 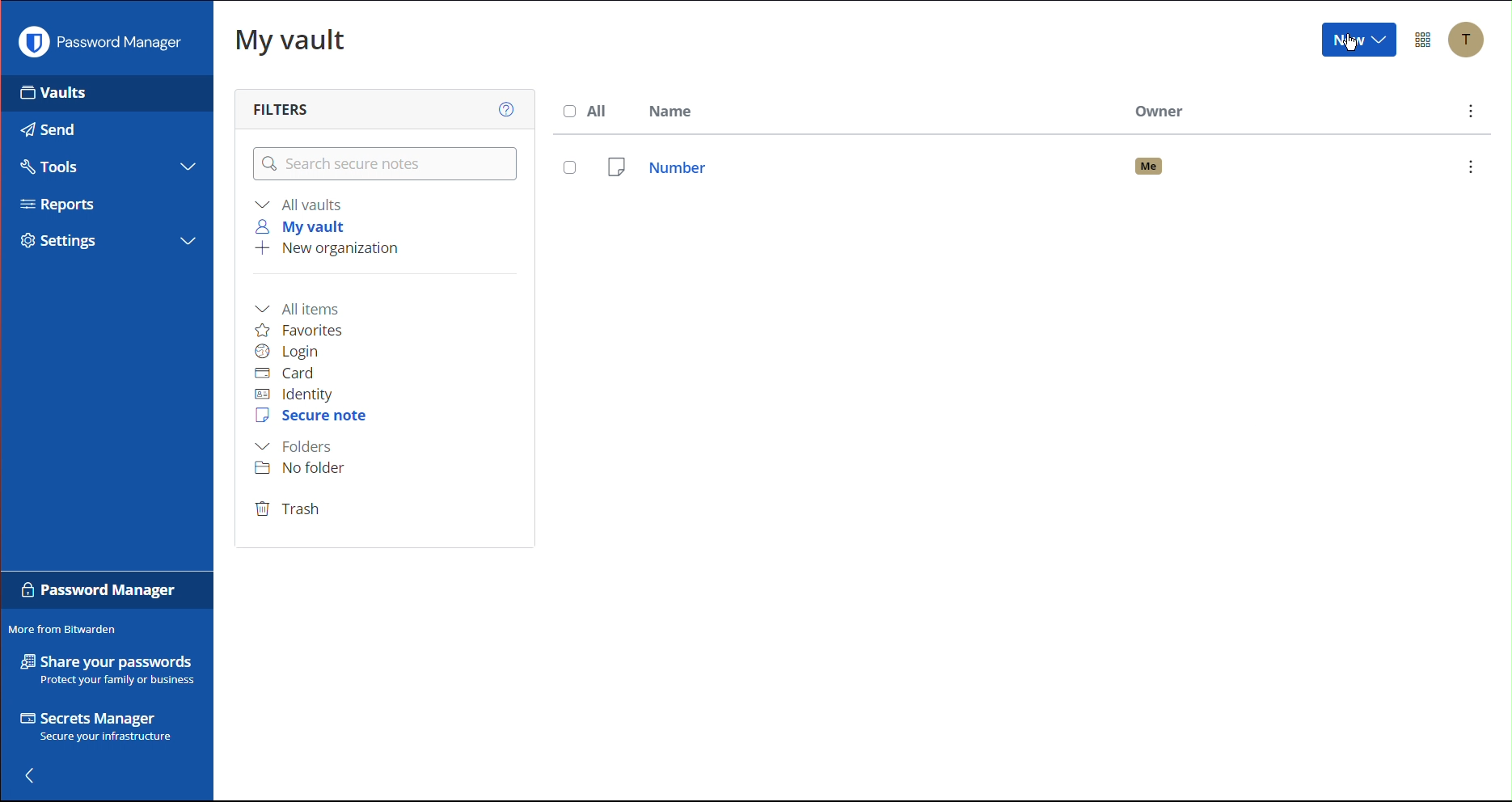 What do you see at coordinates (294, 447) in the screenshot?
I see `Folders` at bounding box center [294, 447].